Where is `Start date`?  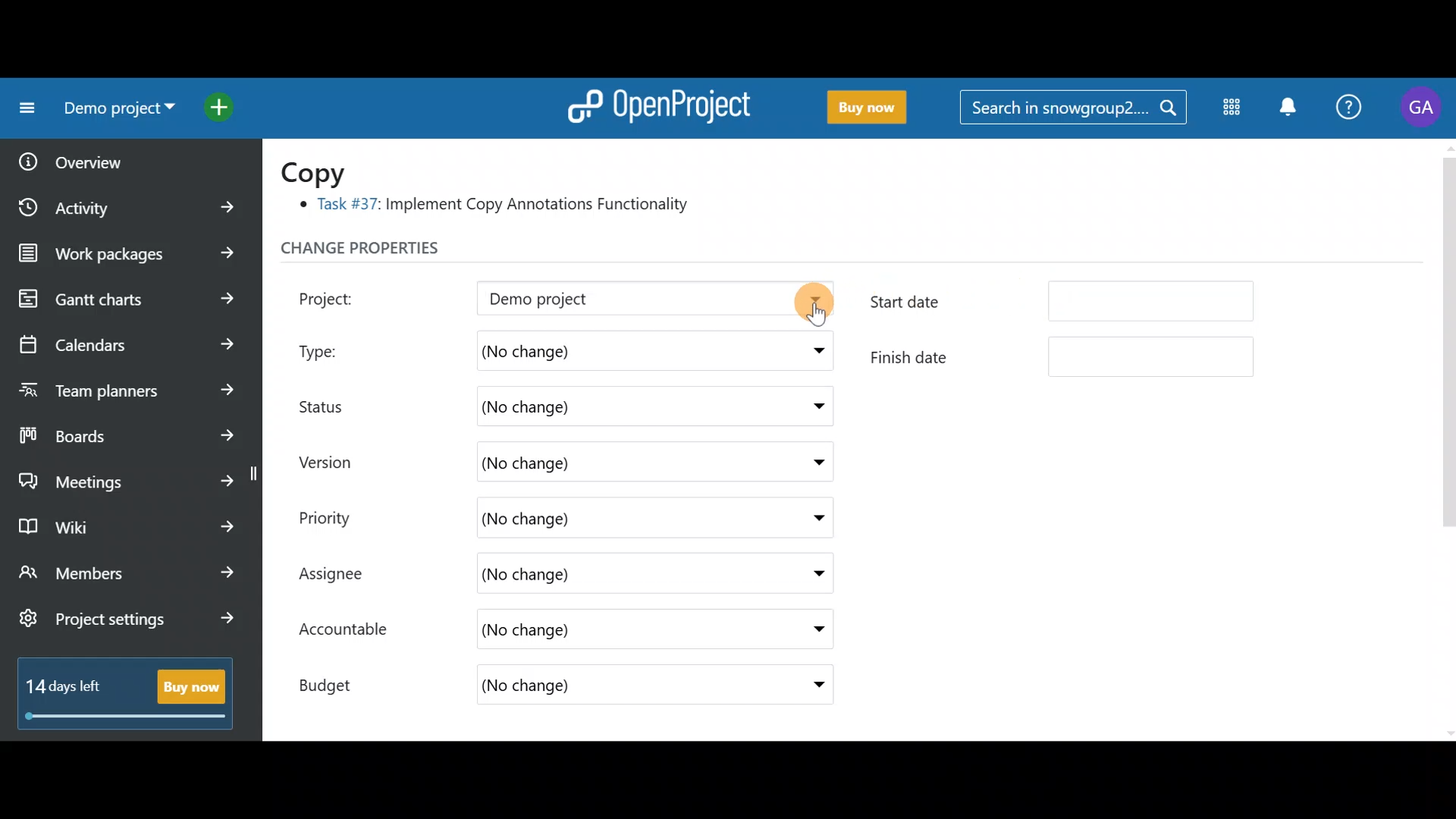 Start date is located at coordinates (1068, 305).